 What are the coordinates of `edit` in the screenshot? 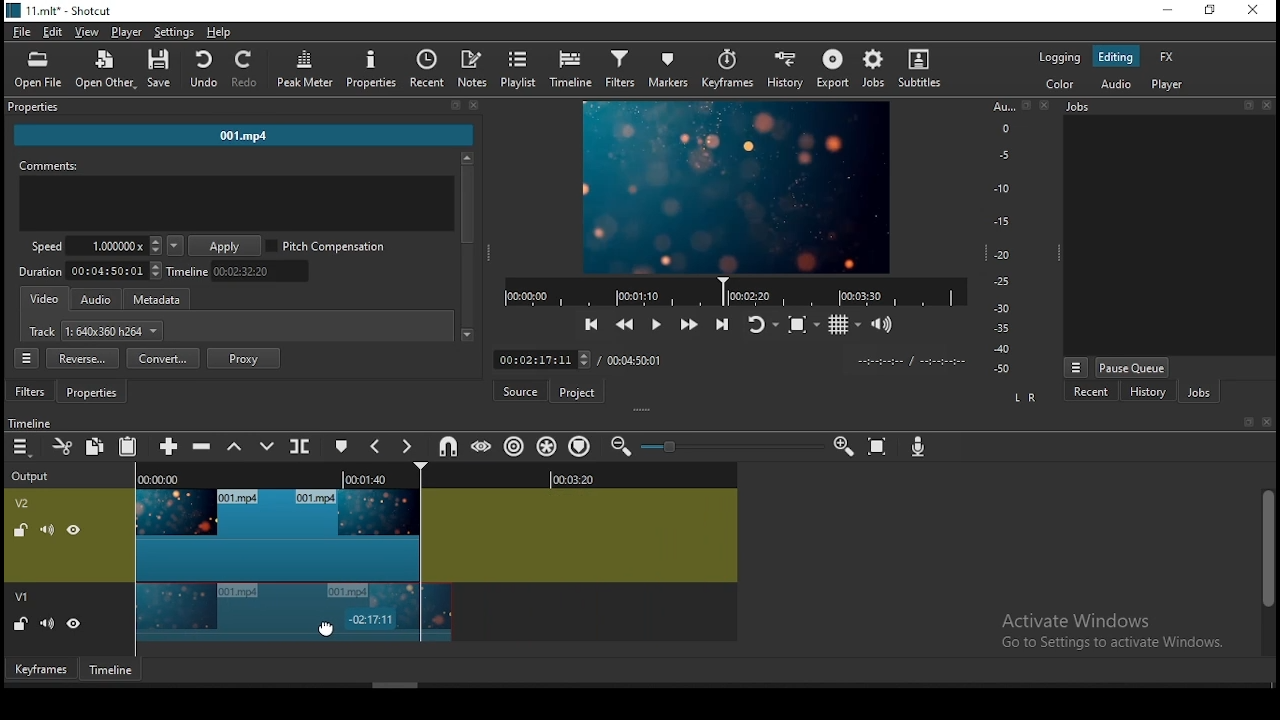 It's located at (53, 33).